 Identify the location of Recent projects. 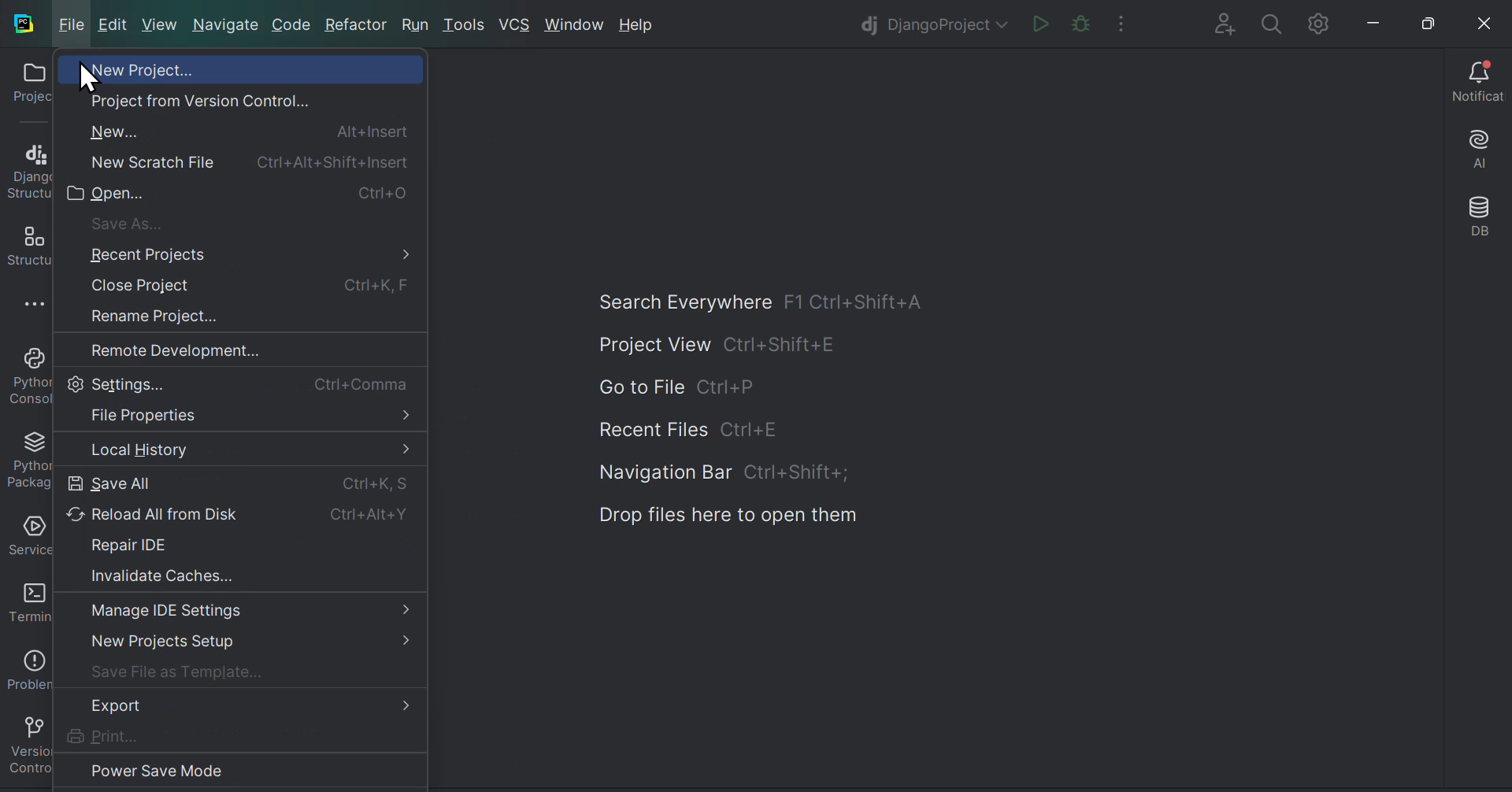
(252, 254).